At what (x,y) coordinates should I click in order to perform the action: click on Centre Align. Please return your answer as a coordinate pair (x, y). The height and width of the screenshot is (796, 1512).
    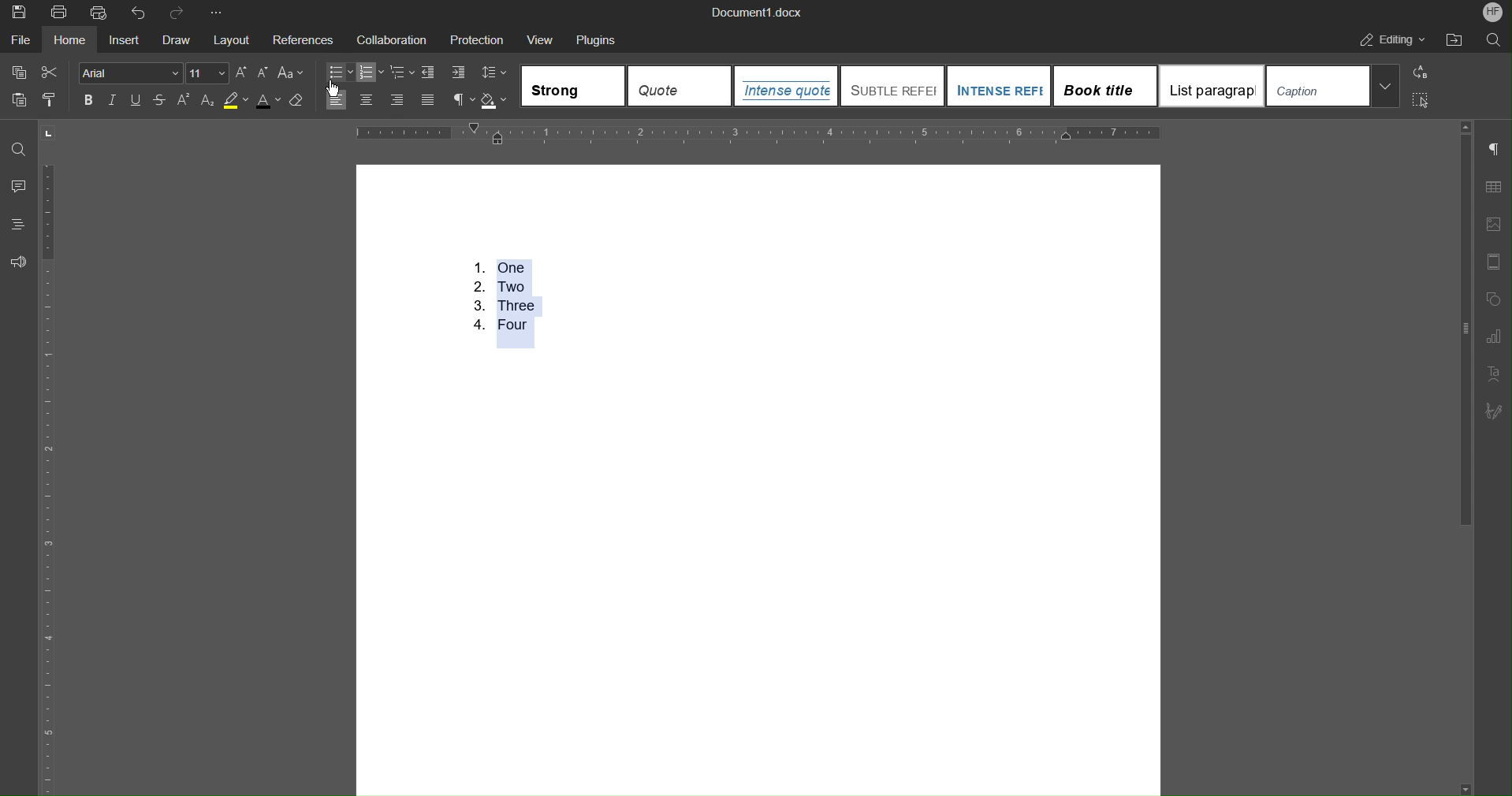
    Looking at the image, I should click on (367, 100).